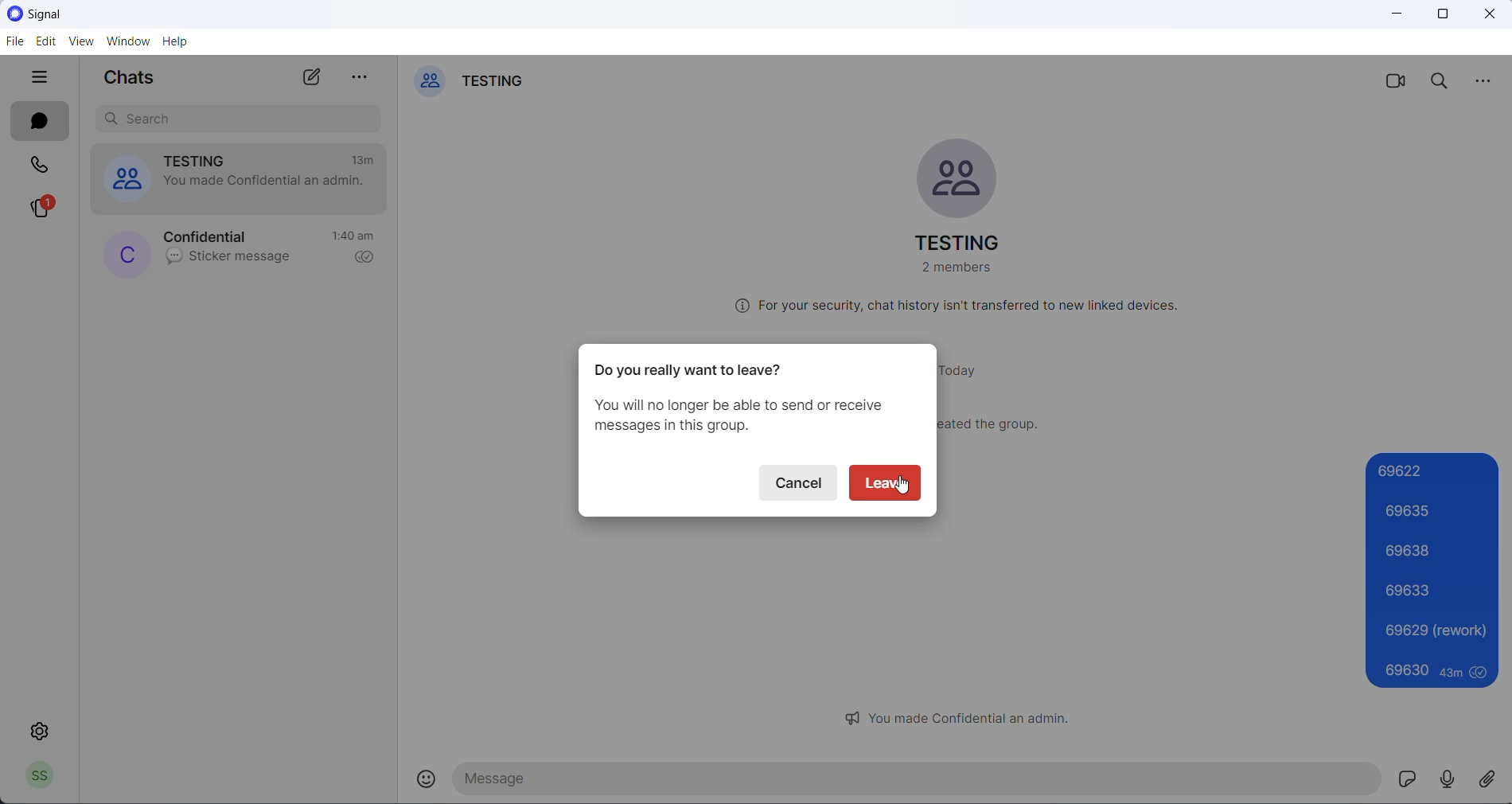 This screenshot has height=804, width=1512. Describe the element at coordinates (1444, 16) in the screenshot. I see `maximize` at that location.